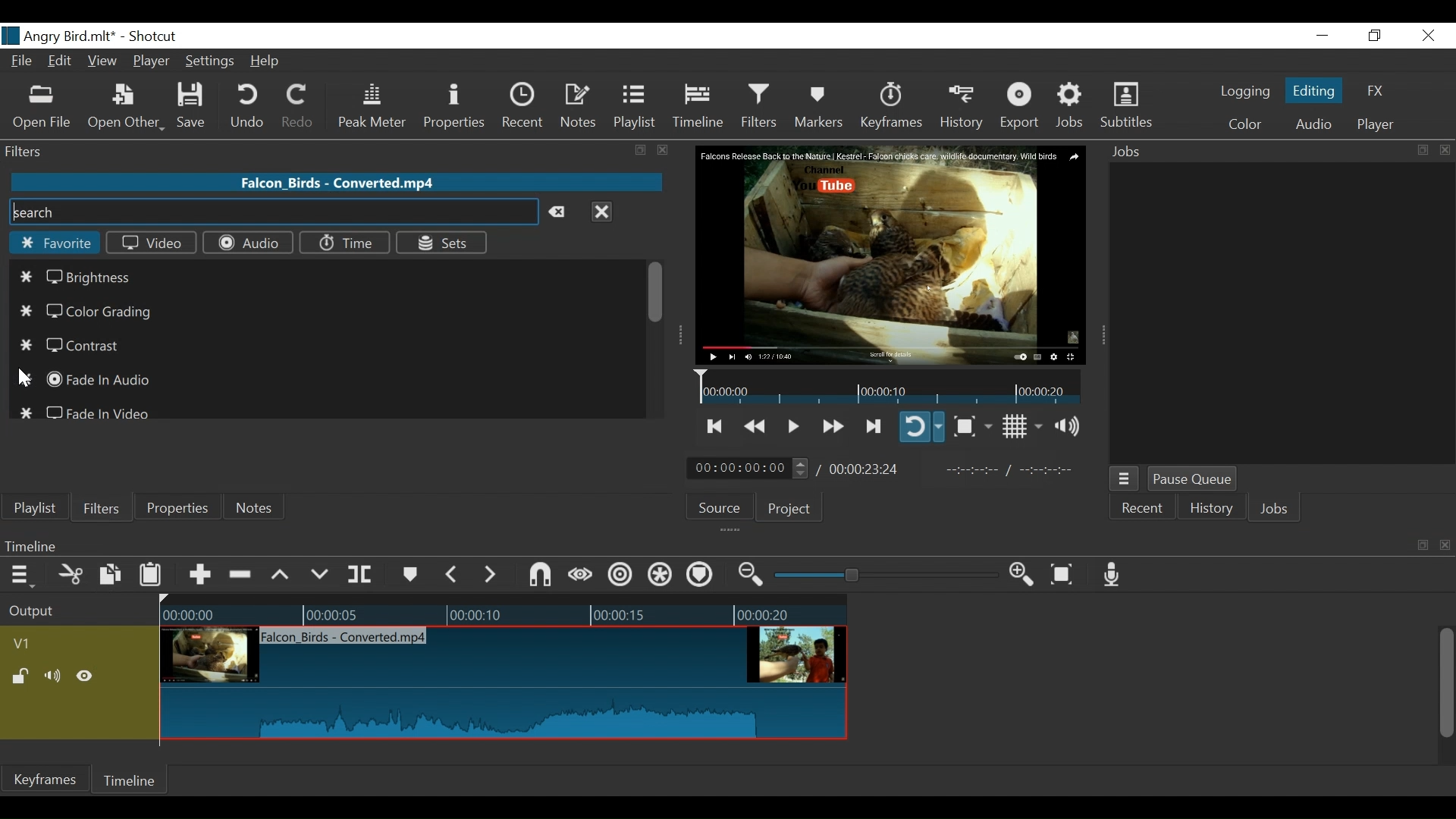 This screenshot has height=819, width=1456. What do you see at coordinates (256, 507) in the screenshot?
I see `Notes` at bounding box center [256, 507].